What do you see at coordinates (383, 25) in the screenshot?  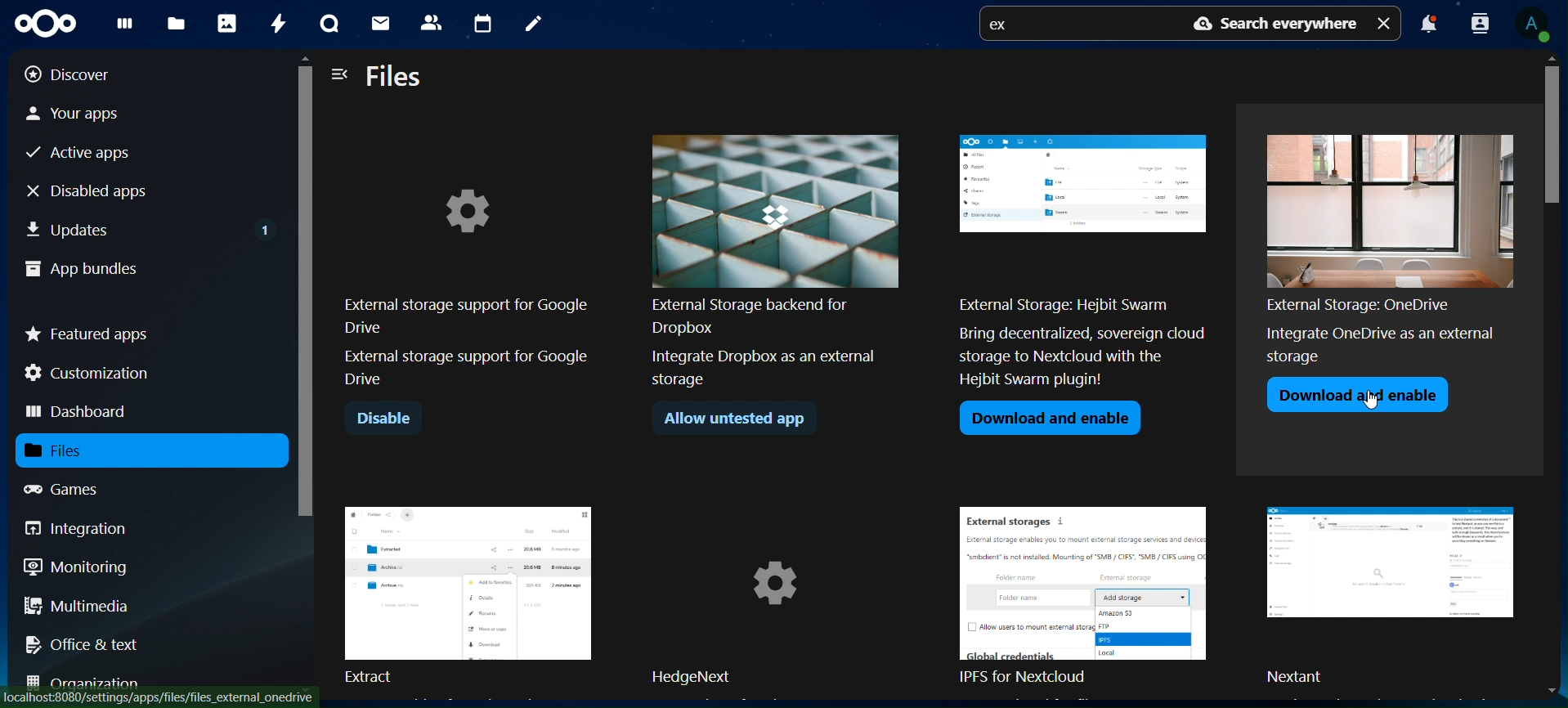 I see `mail` at bounding box center [383, 25].